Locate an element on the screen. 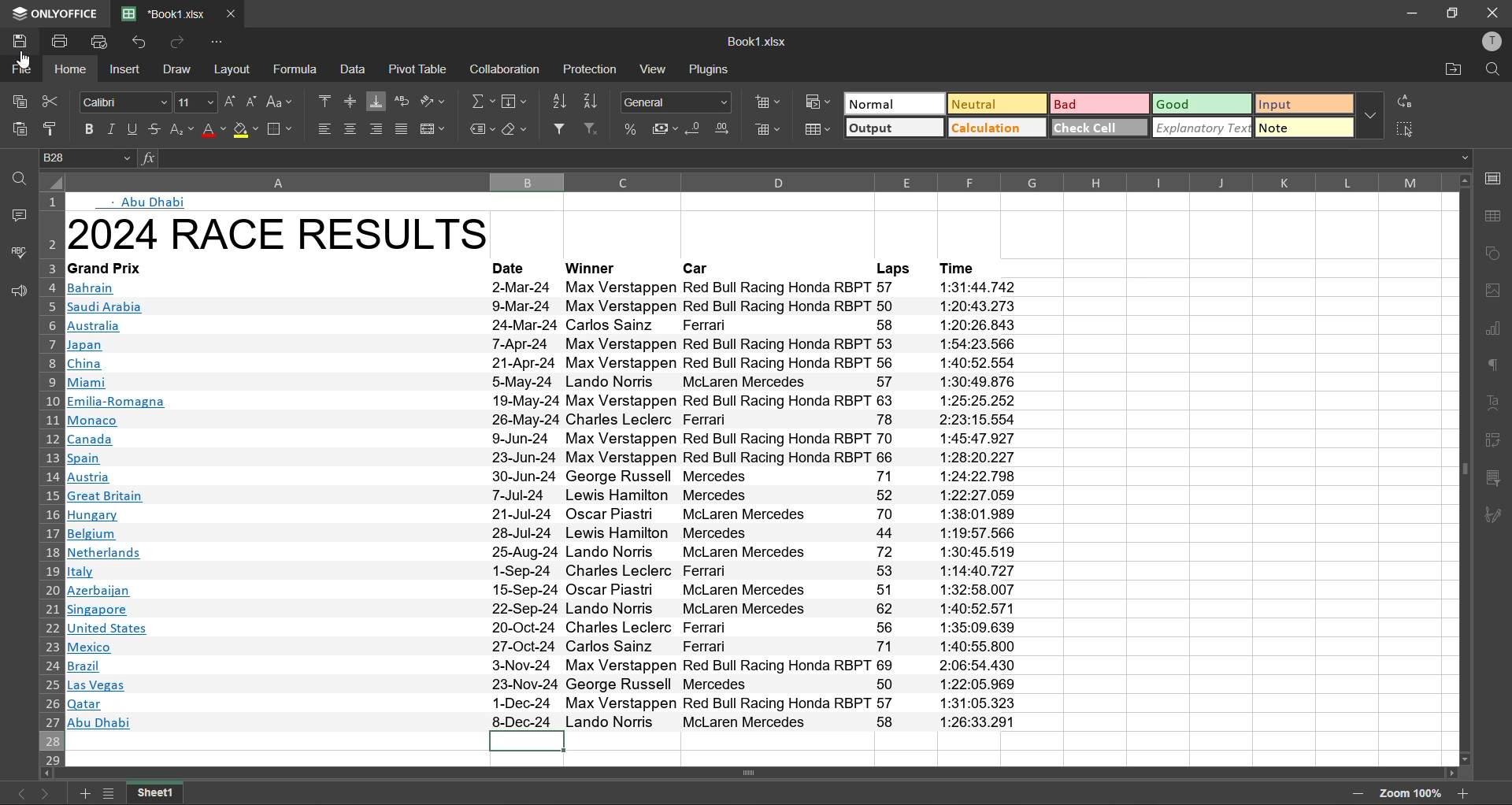  align left is located at coordinates (324, 129).